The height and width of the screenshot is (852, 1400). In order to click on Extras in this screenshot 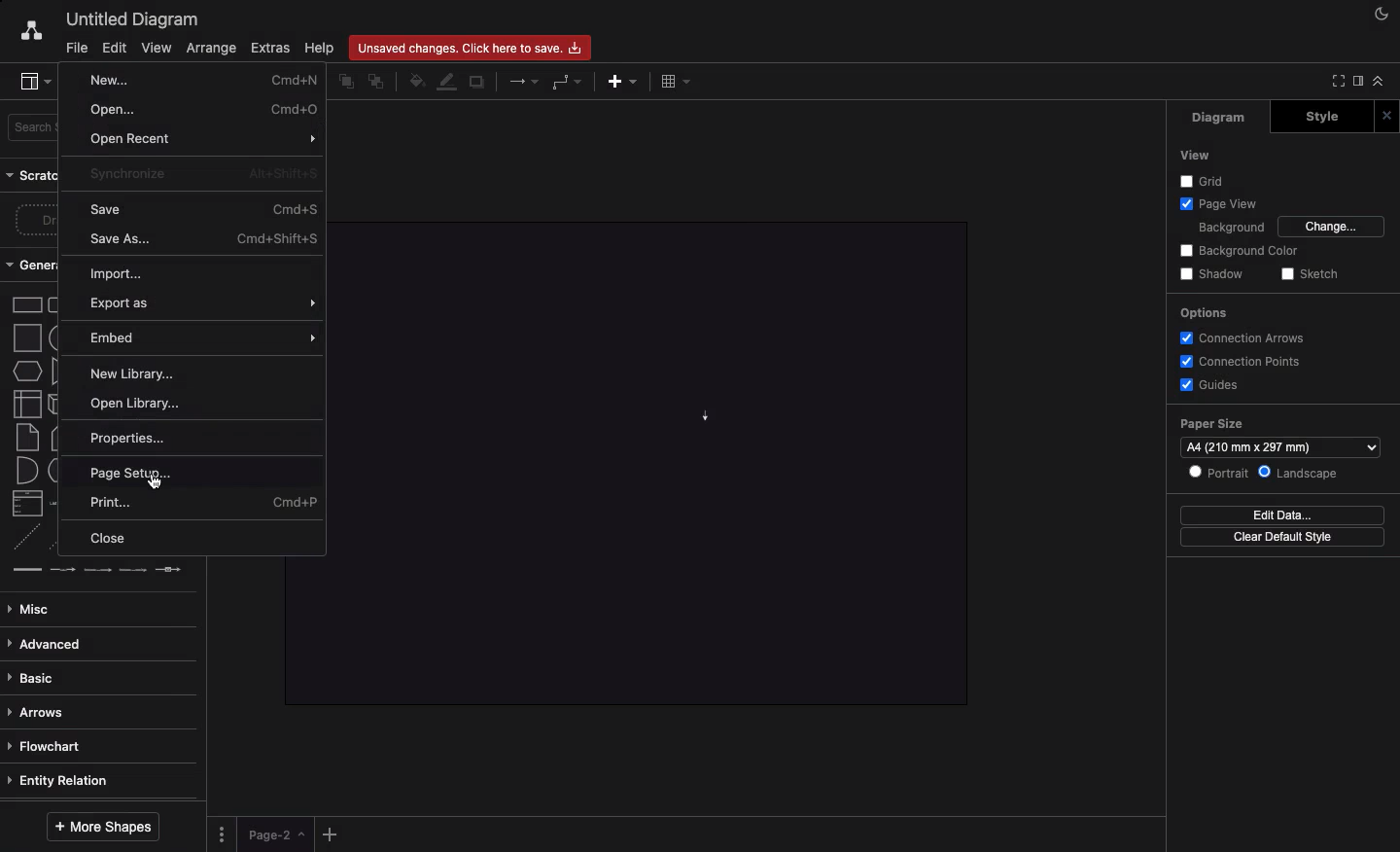, I will do `click(273, 49)`.